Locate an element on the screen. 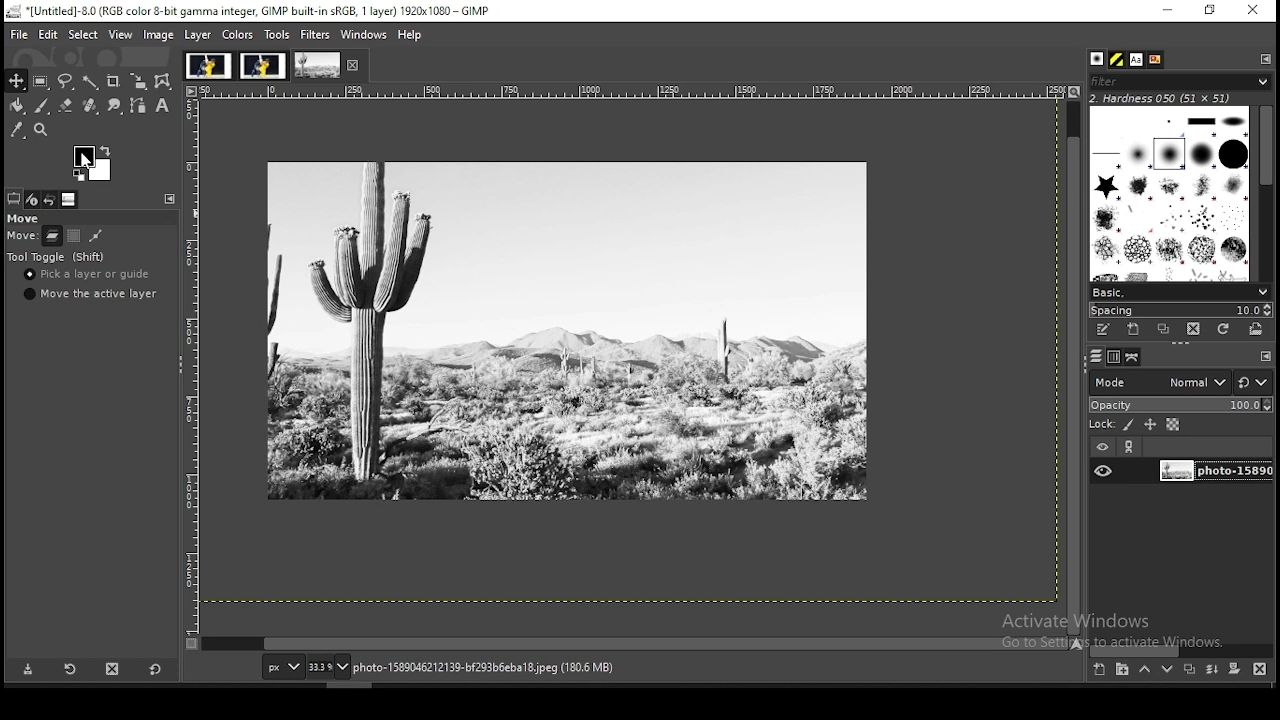  mouse pointer is located at coordinates (85, 157).